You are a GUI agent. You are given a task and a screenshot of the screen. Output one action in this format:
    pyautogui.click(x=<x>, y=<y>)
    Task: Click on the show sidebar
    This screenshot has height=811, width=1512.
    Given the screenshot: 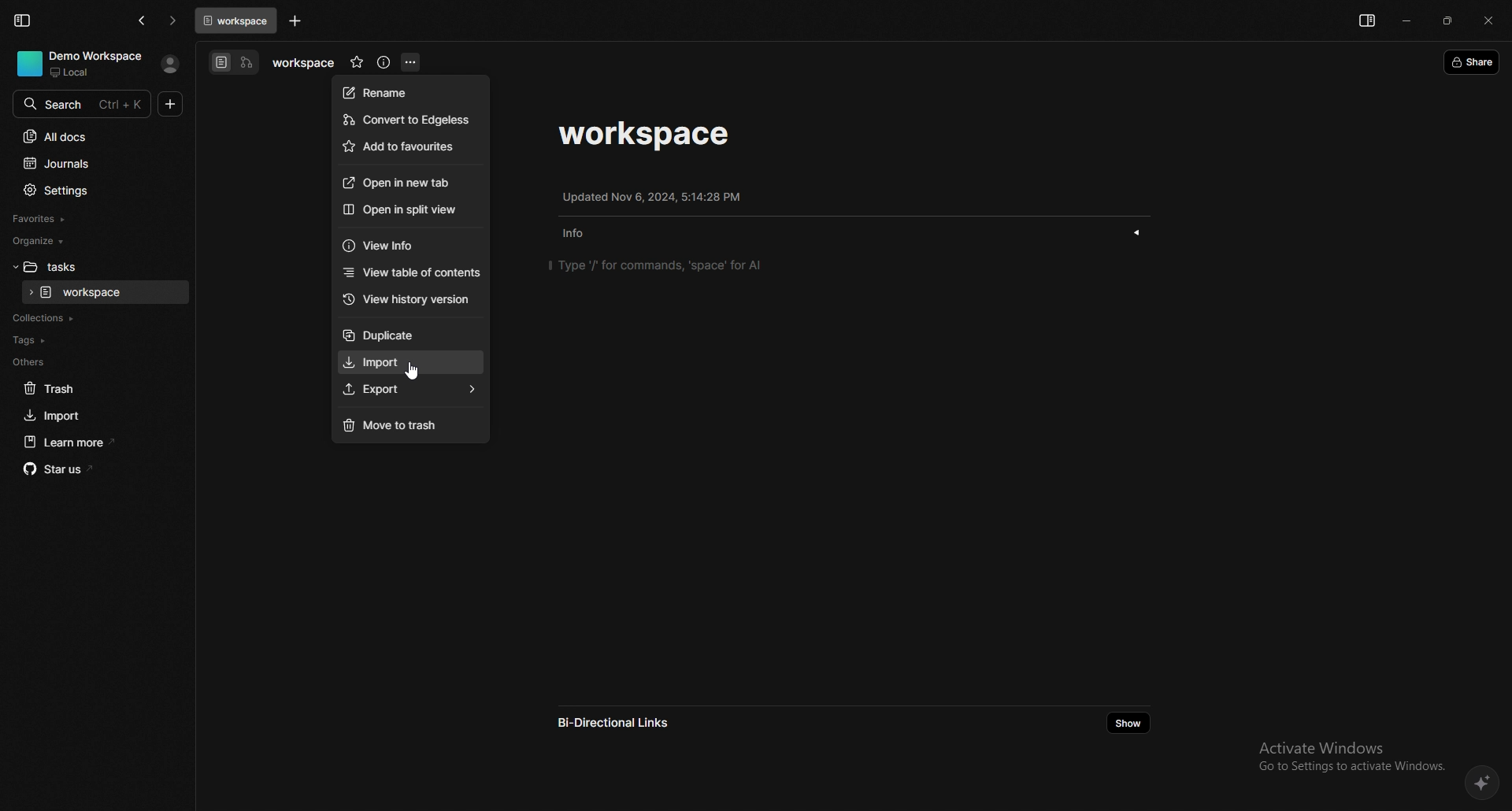 What is the action you would take?
    pyautogui.click(x=1366, y=21)
    